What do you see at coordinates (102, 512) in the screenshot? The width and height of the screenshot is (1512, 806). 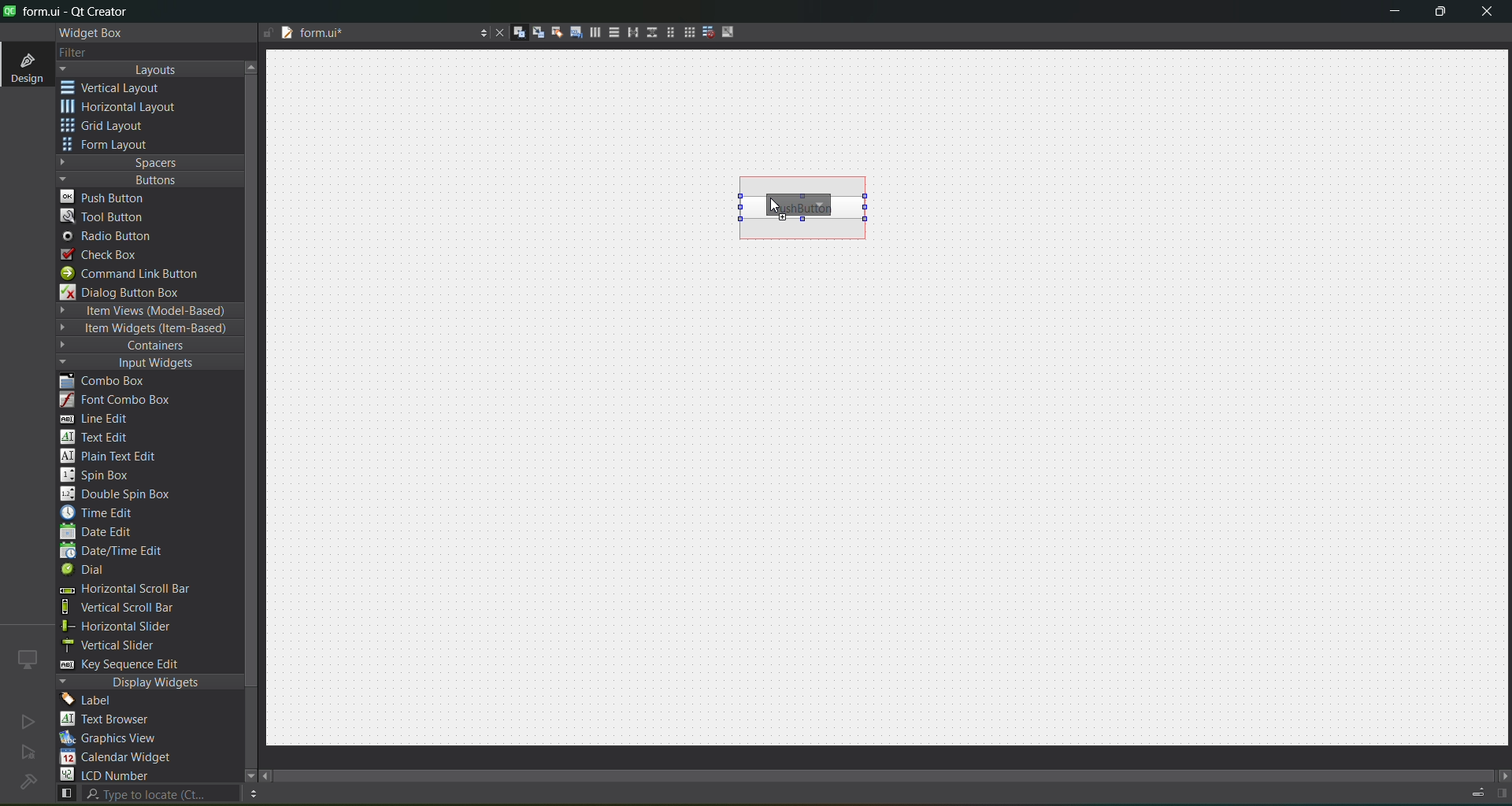 I see `time edit` at bounding box center [102, 512].